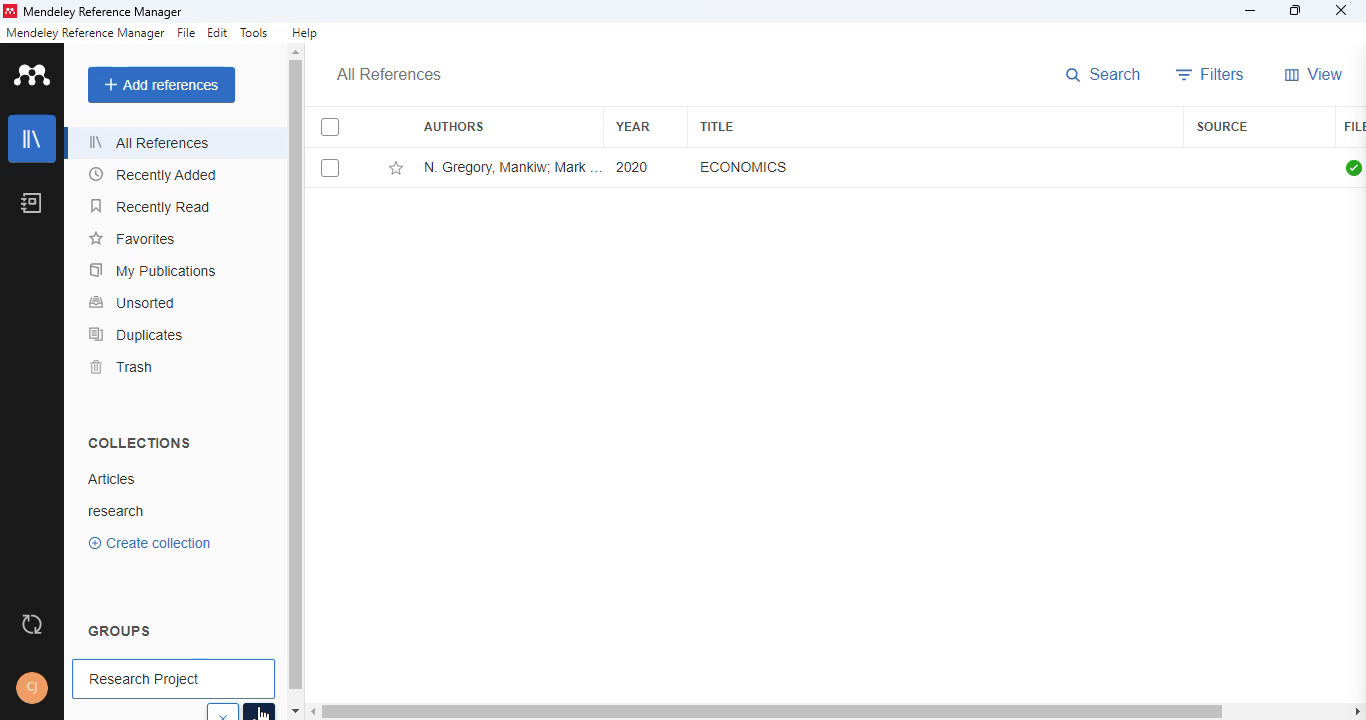  Describe the element at coordinates (103, 12) in the screenshot. I see `mendeley reference manager` at that location.